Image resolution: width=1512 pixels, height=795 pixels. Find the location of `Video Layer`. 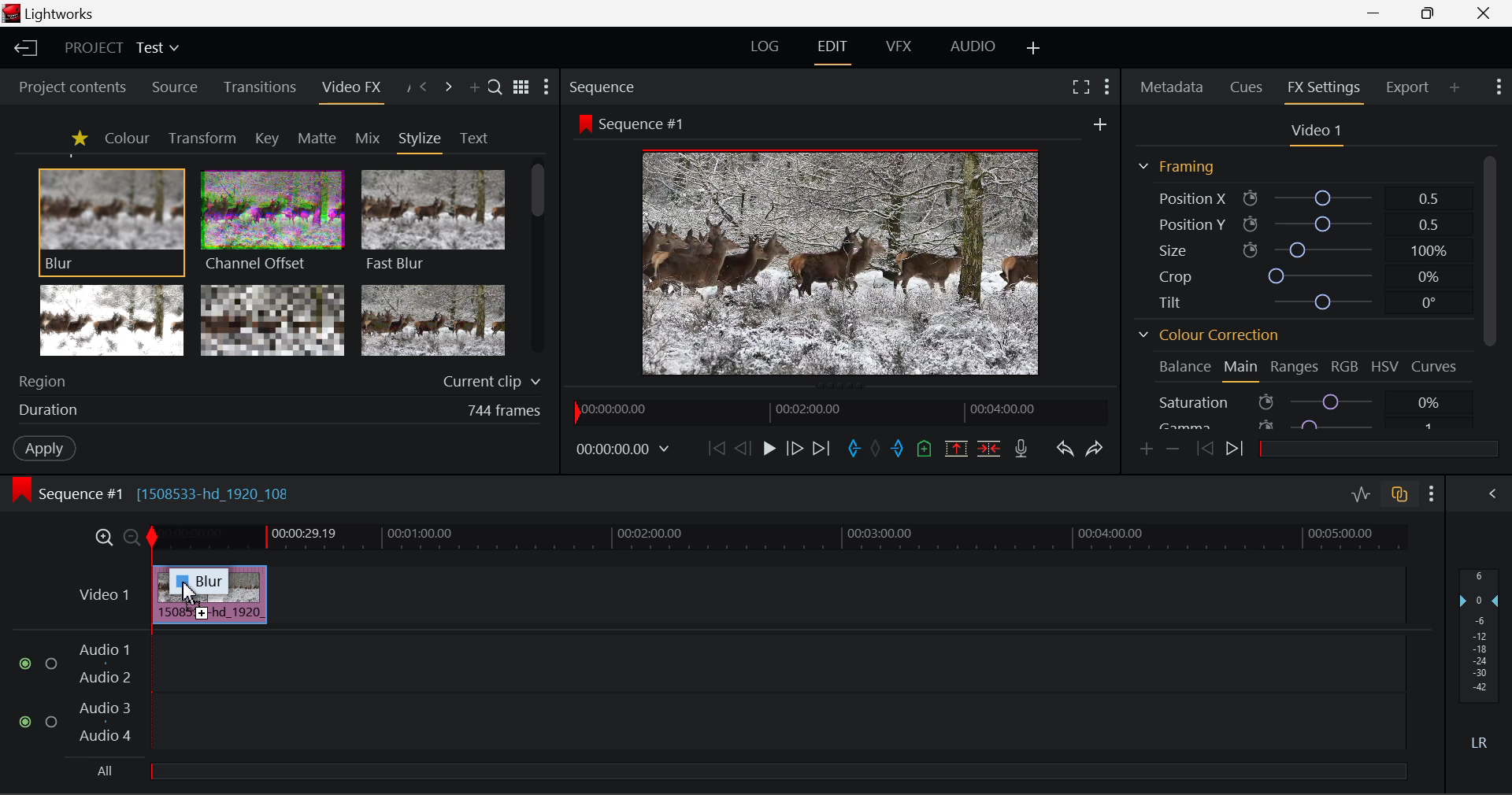

Video Layer is located at coordinates (101, 593).